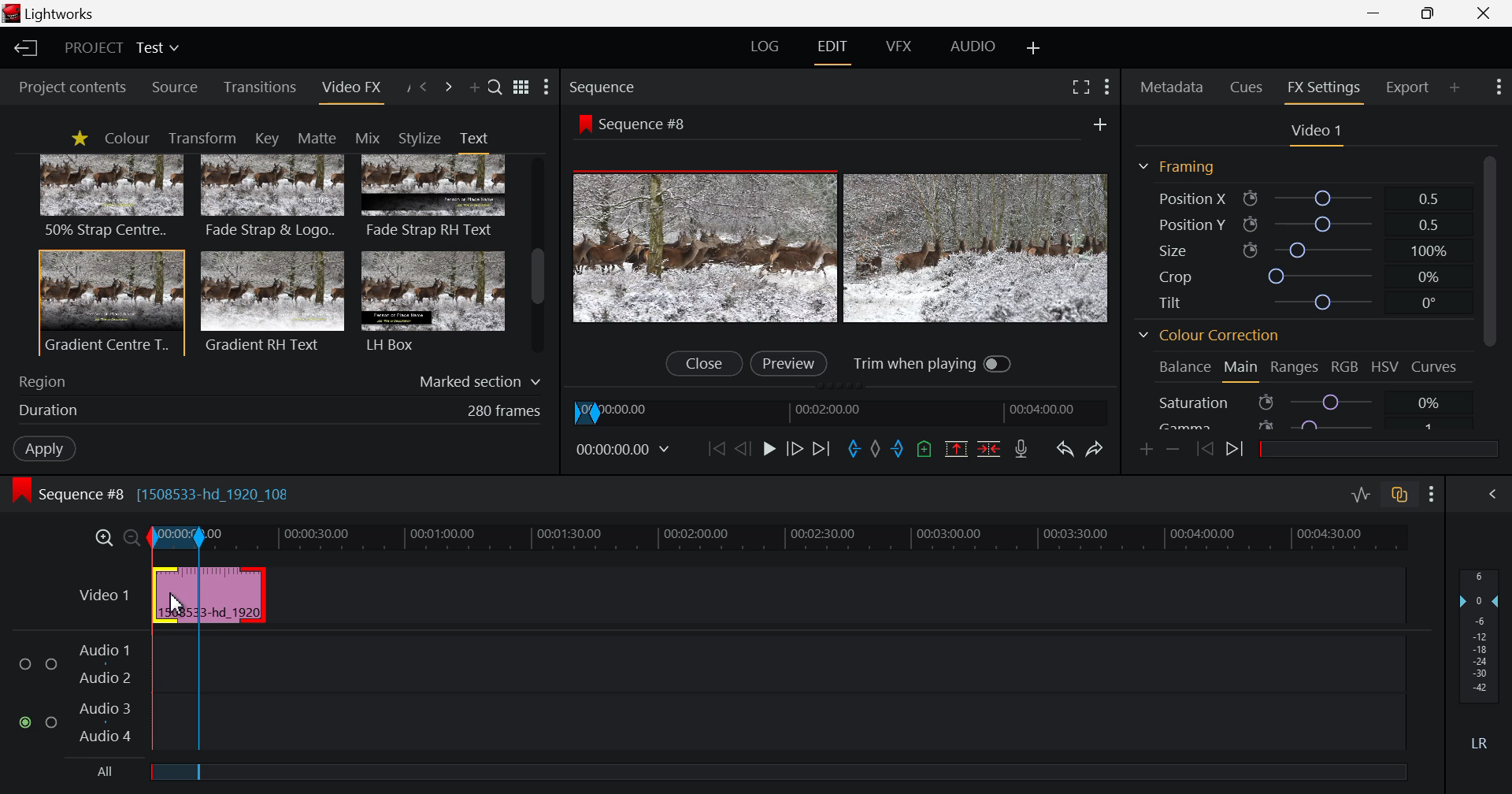 The width and height of the screenshot is (1512, 794). Describe the element at coordinates (851, 447) in the screenshot. I see `Mark In` at that location.